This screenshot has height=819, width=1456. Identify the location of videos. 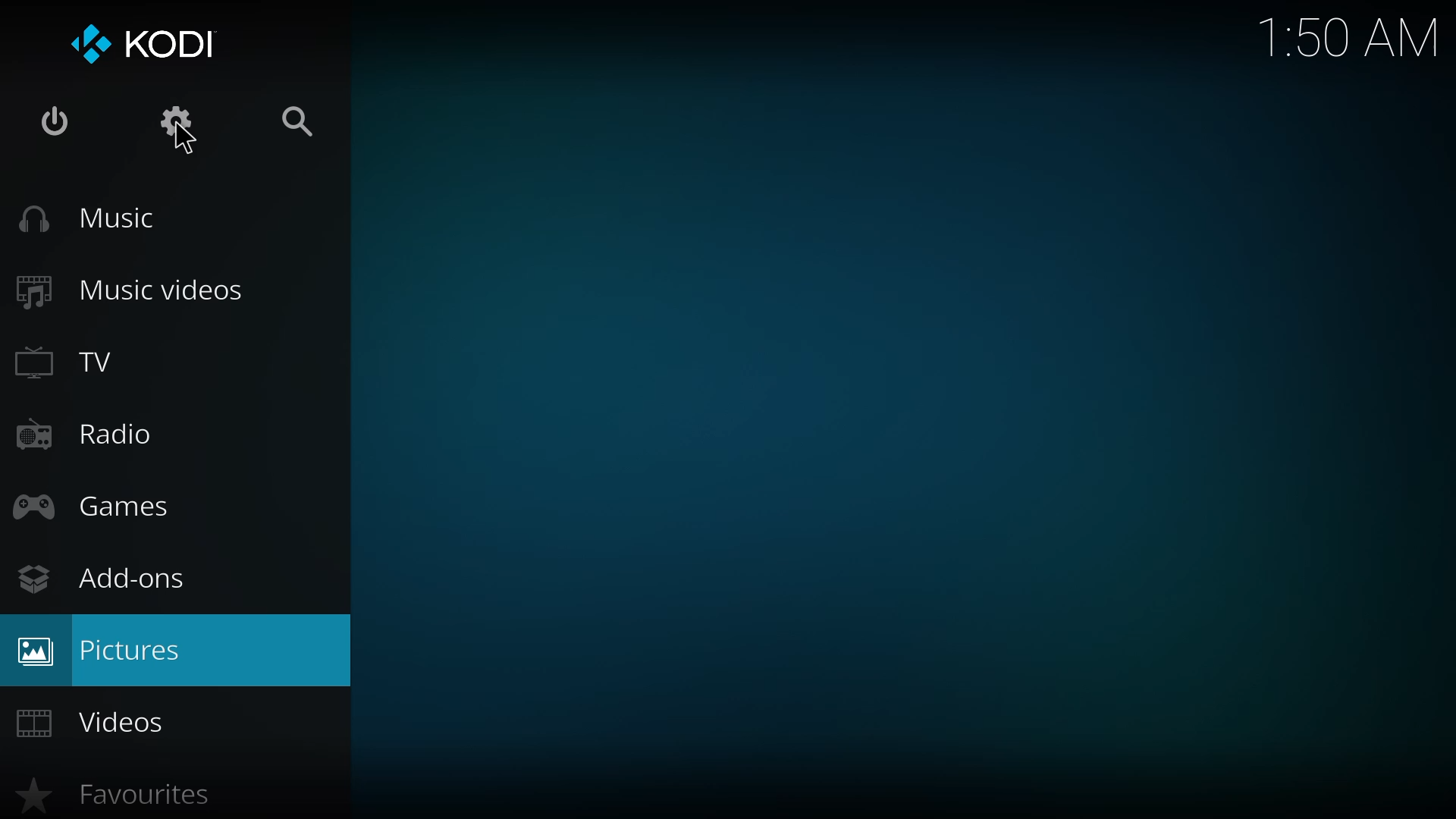
(105, 722).